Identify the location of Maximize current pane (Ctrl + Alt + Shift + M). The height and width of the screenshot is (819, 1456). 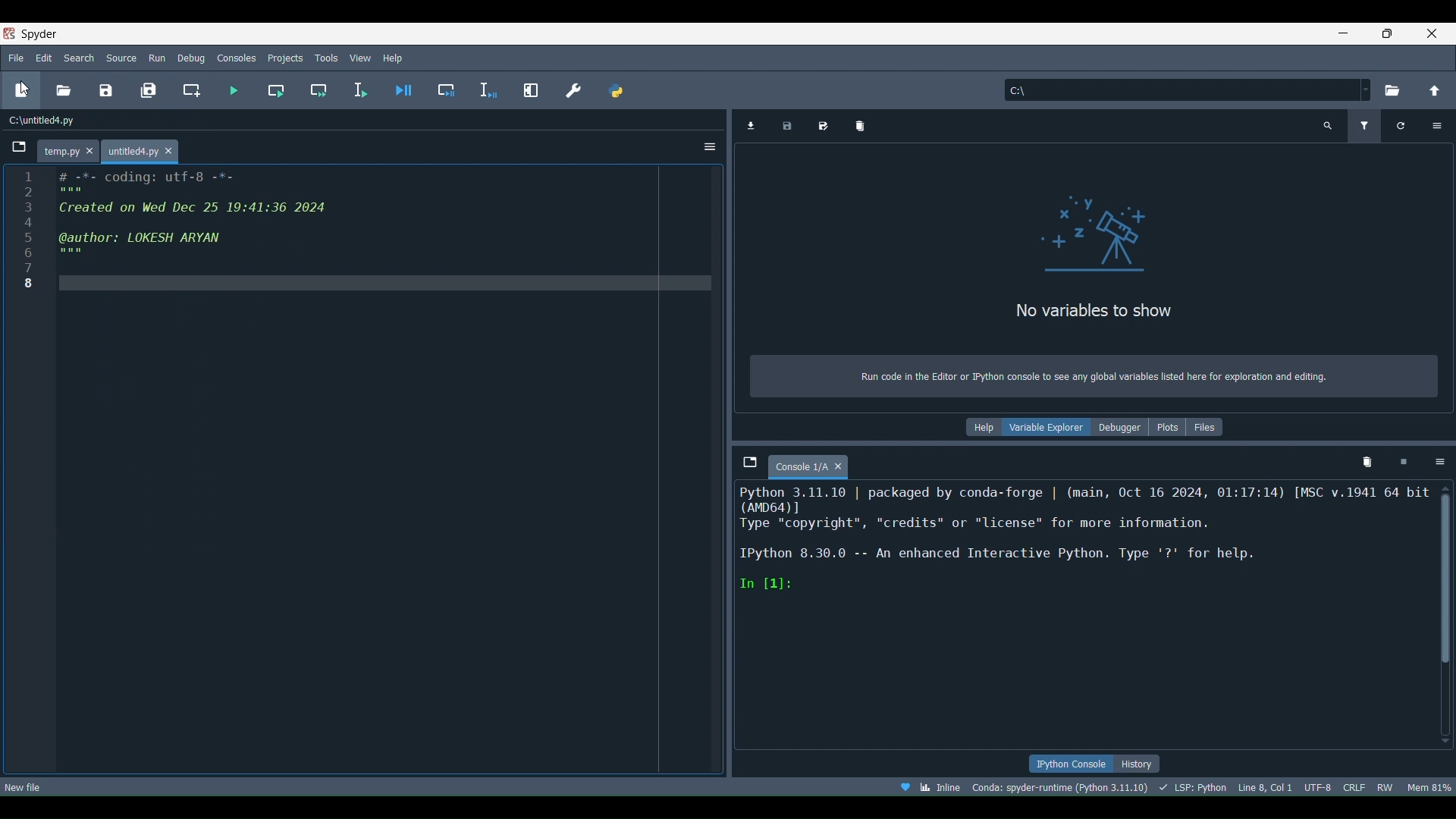
(529, 90).